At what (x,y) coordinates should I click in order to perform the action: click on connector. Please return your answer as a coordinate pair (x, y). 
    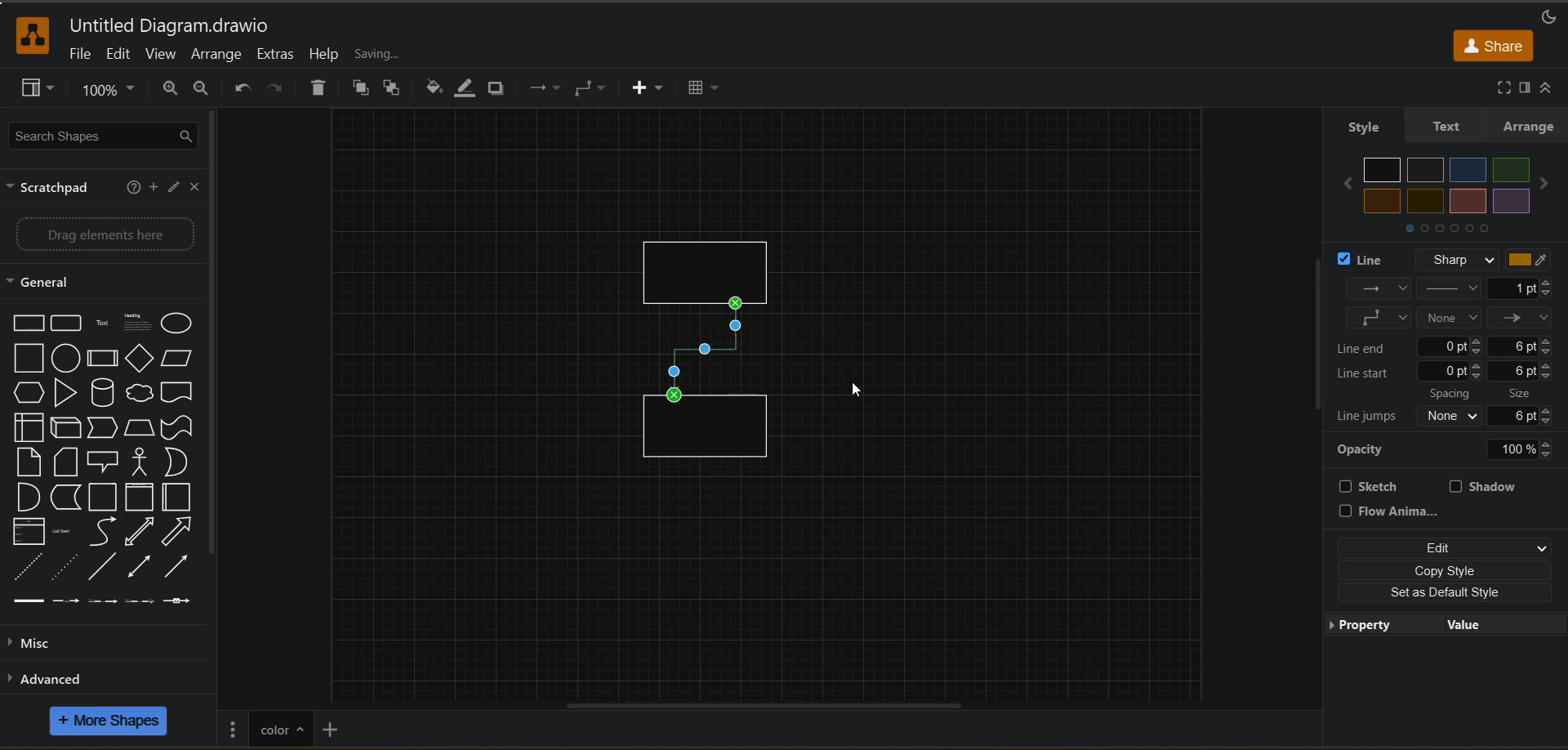
    Looking at the image, I should click on (706, 350).